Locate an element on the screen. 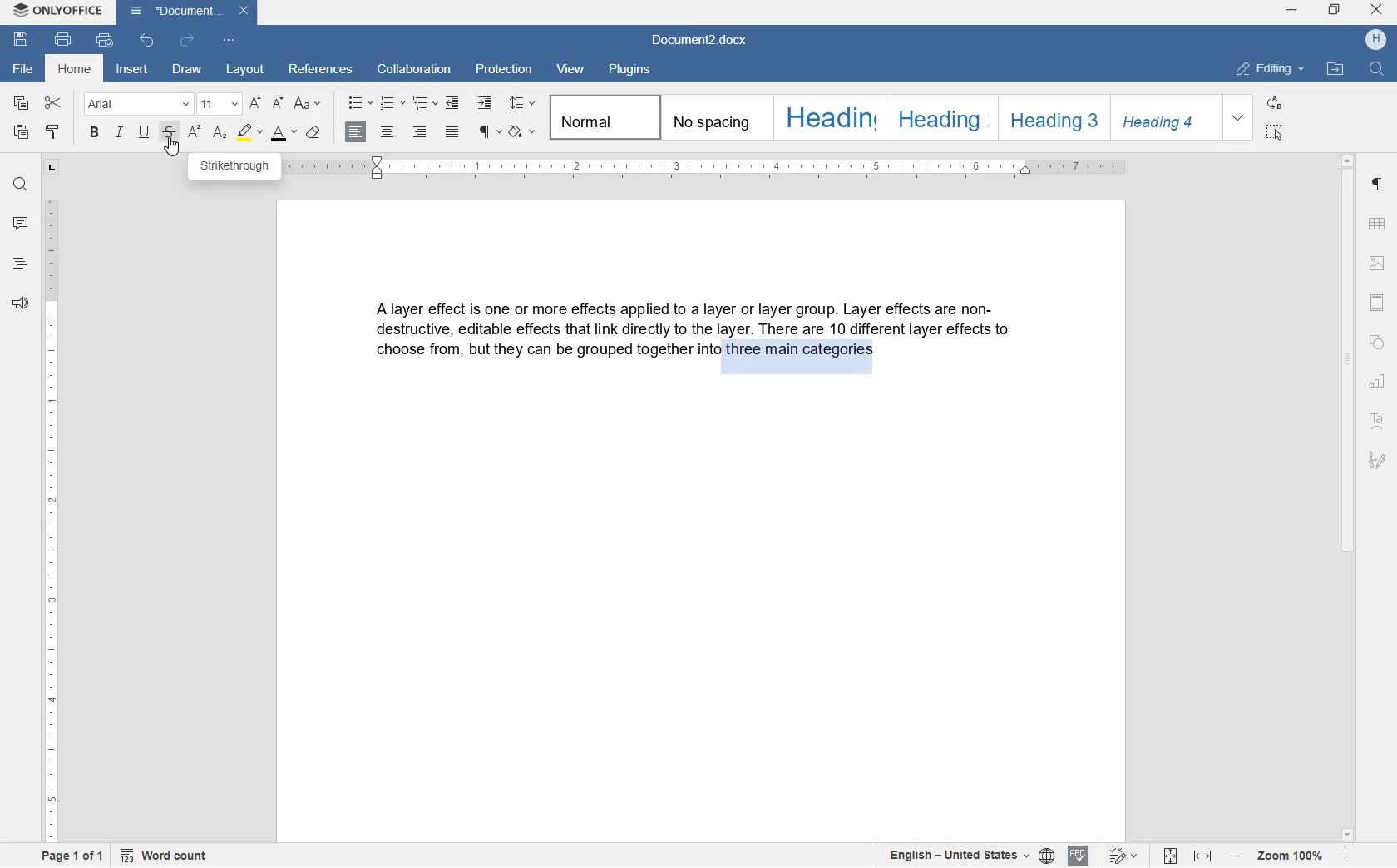 Image resolution: width=1397 pixels, height=868 pixels. view is located at coordinates (574, 68).